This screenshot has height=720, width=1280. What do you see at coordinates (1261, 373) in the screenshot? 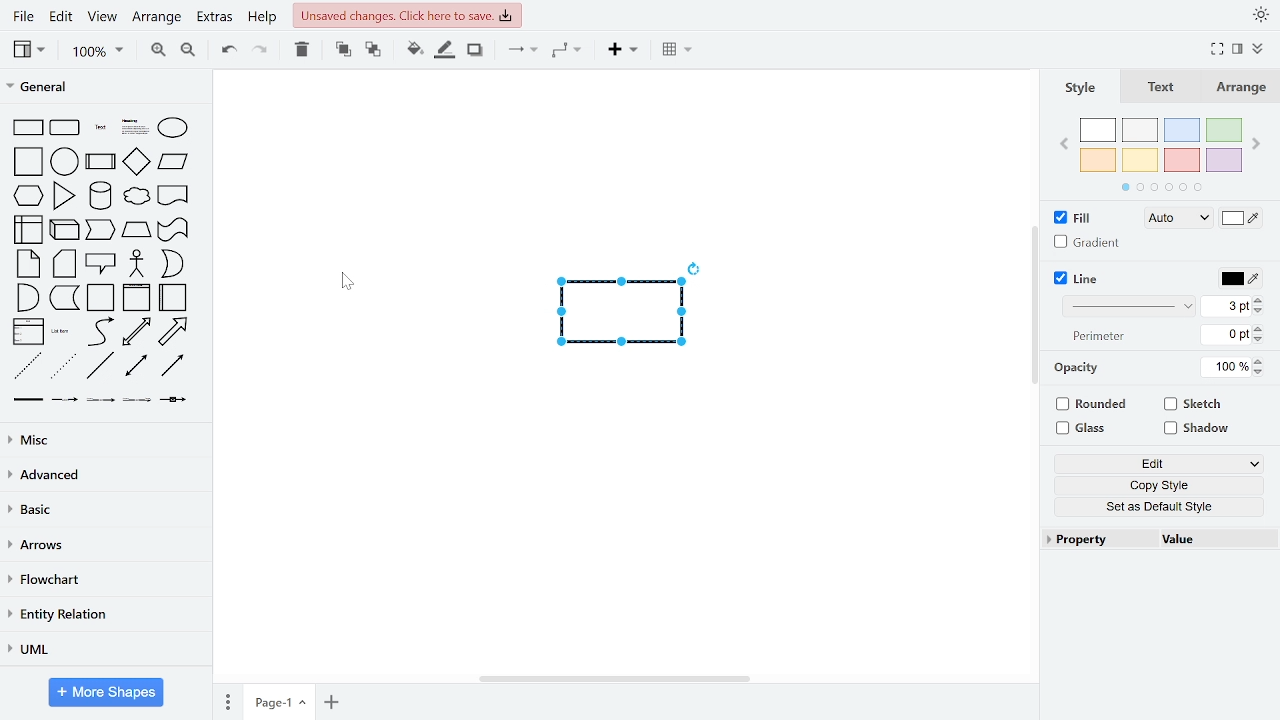
I see `decrease opacity` at bounding box center [1261, 373].